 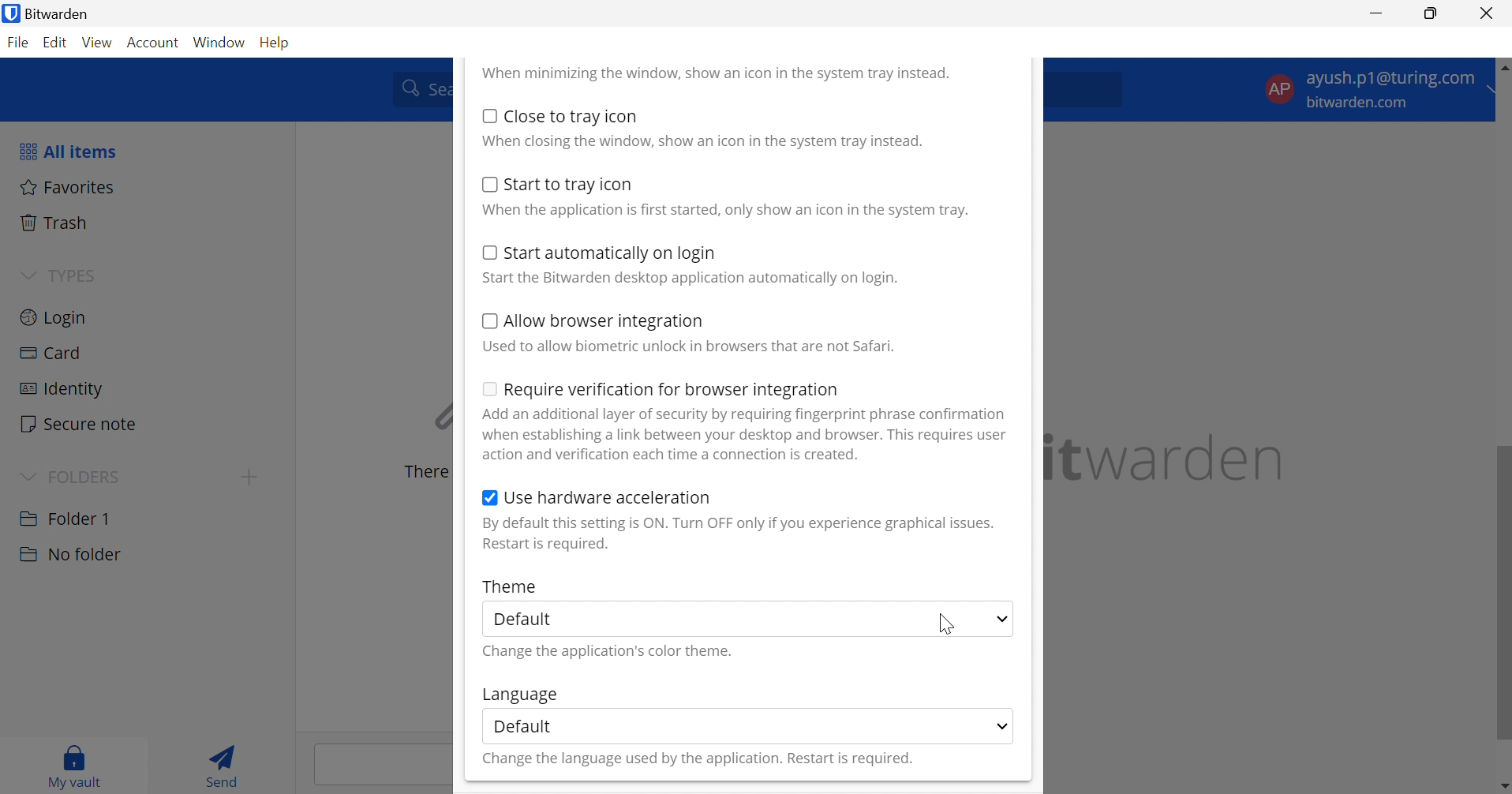 What do you see at coordinates (487, 184) in the screenshot?
I see `Checkbox` at bounding box center [487, 184].